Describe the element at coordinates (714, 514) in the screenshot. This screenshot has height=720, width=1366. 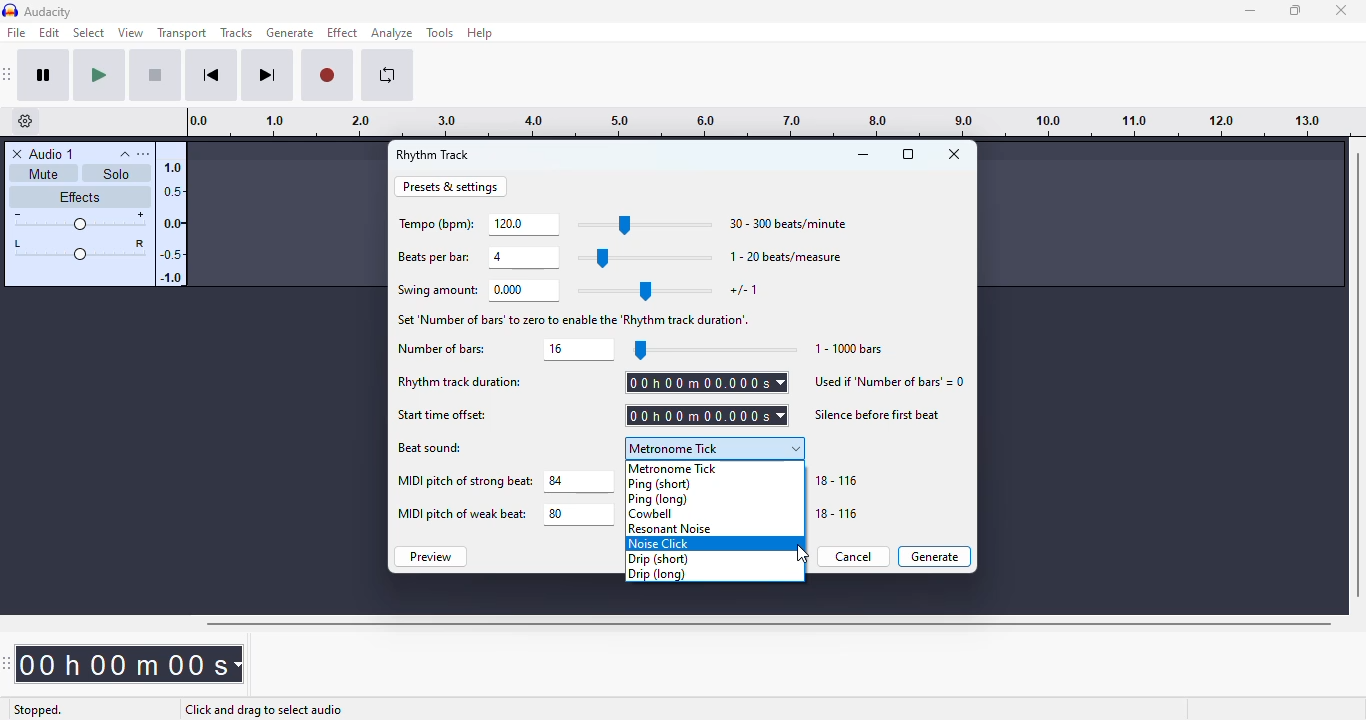
I see `cowbell` at that location.